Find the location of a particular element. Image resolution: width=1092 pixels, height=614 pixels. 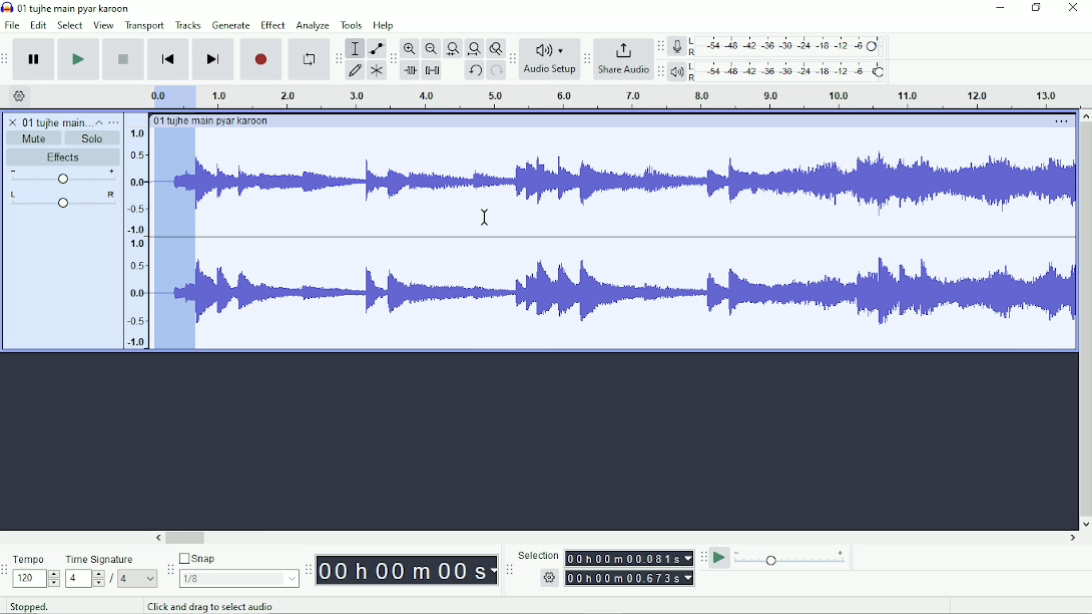

01 tujhe main pyar karoon is located at coordinates (215, 121).